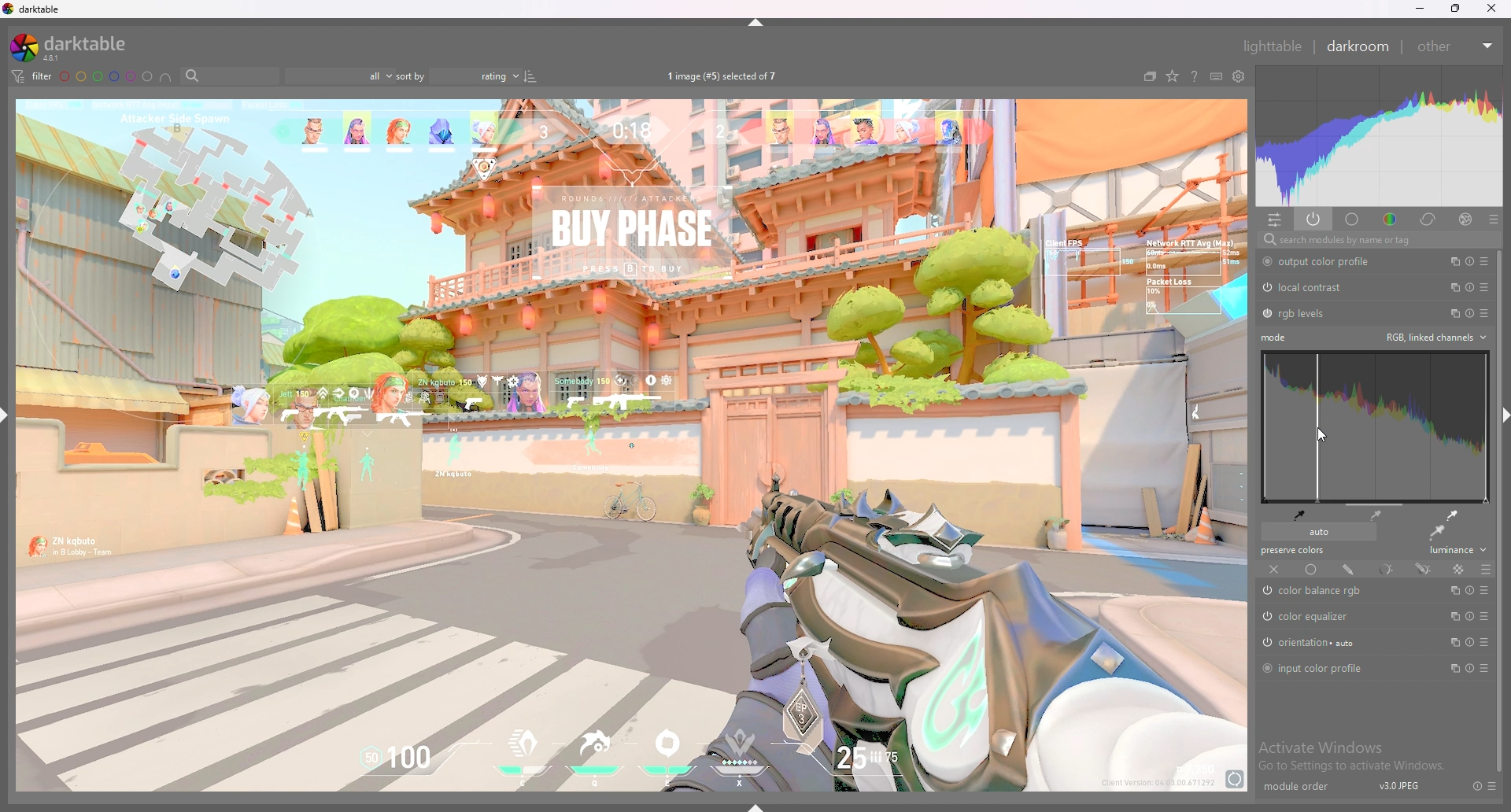  What do you see at coordinates (166, 78) in the screenshot?
I see `including color labels` at bounding box center [166, 78].